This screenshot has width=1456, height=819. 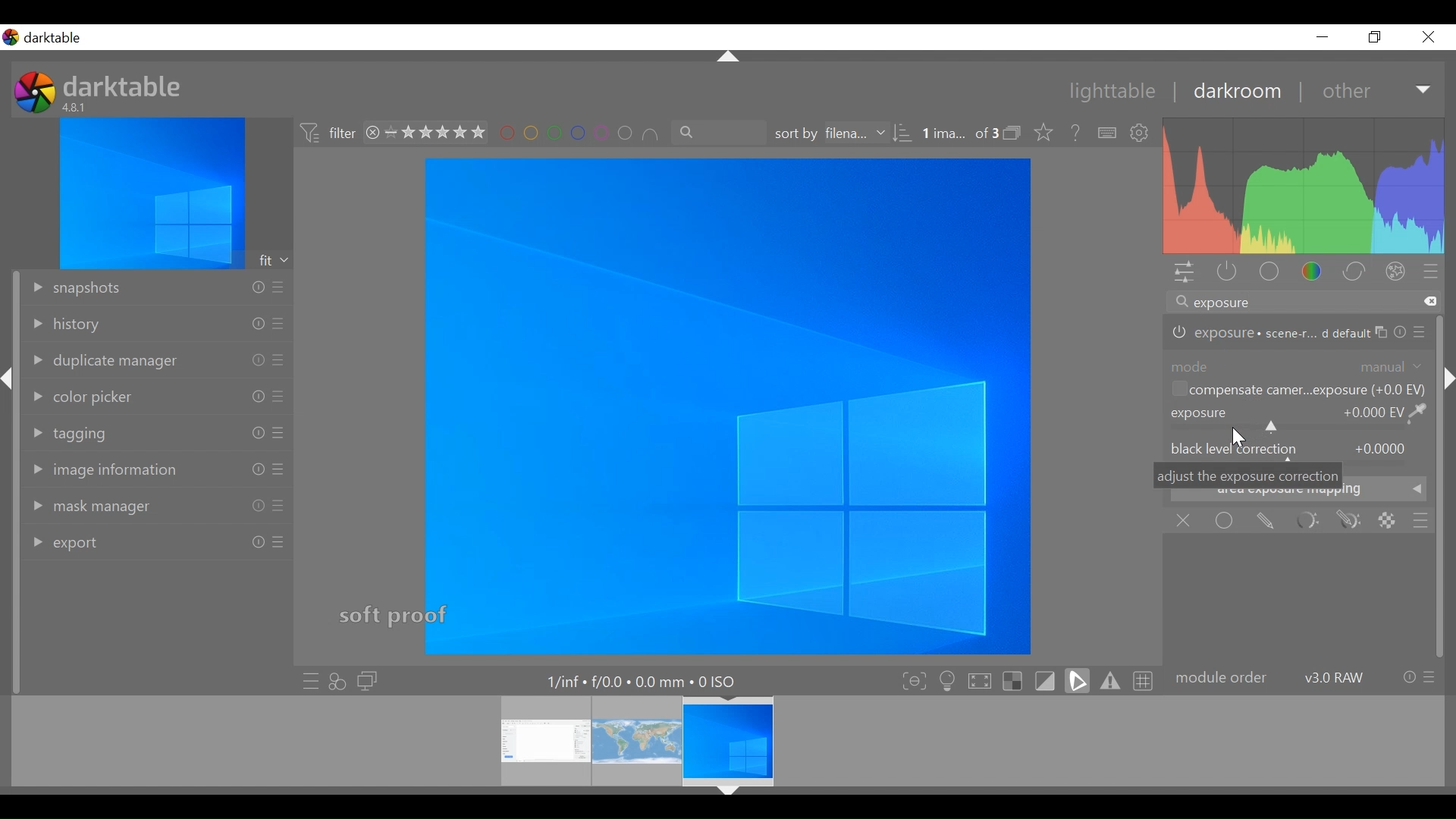 I want to click on export, so click(x=63, y=544).